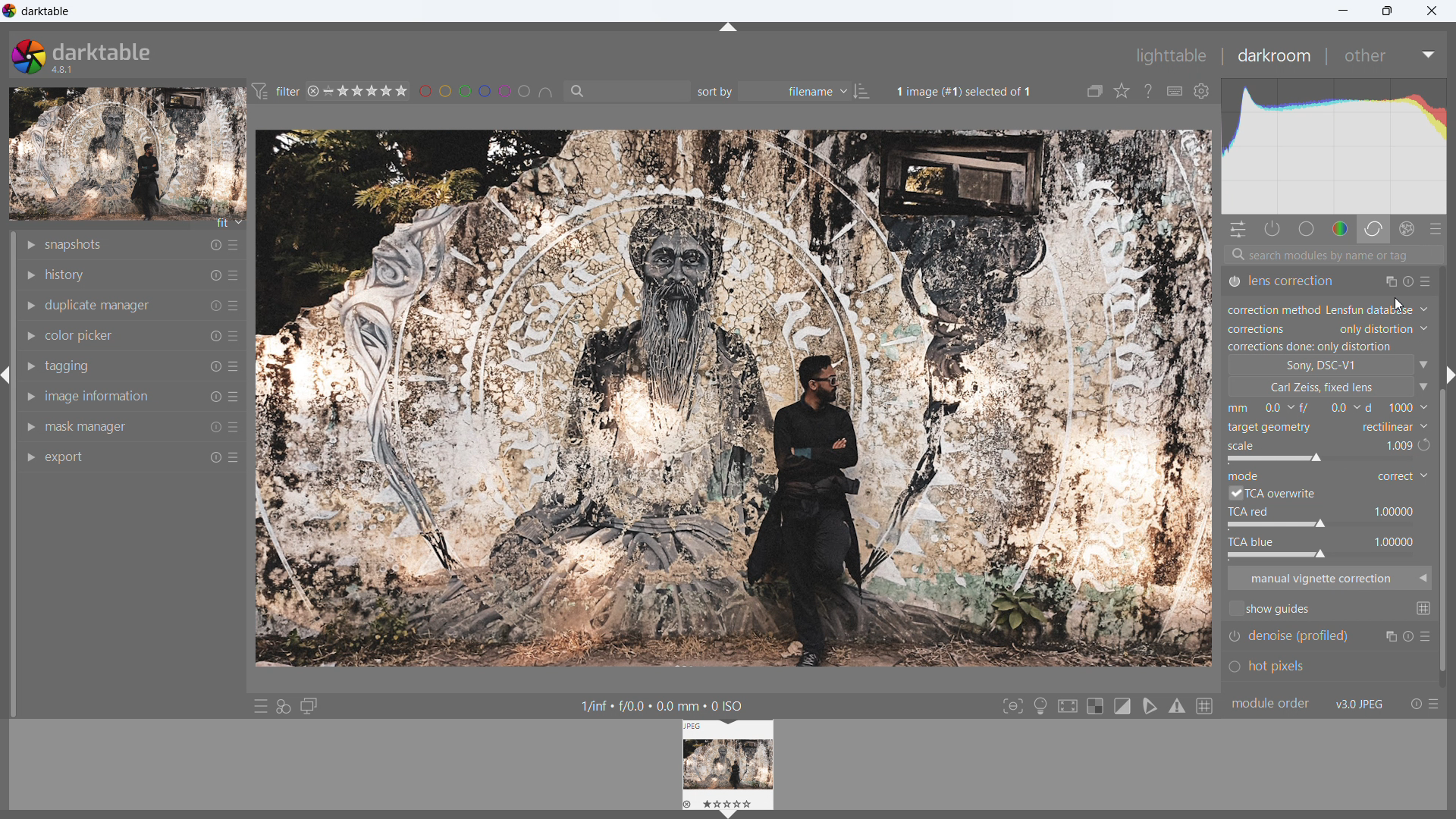  Describe the element at coordinates (1383, 330) in the screenshot. I see `corrections set to only distortion` at that location.